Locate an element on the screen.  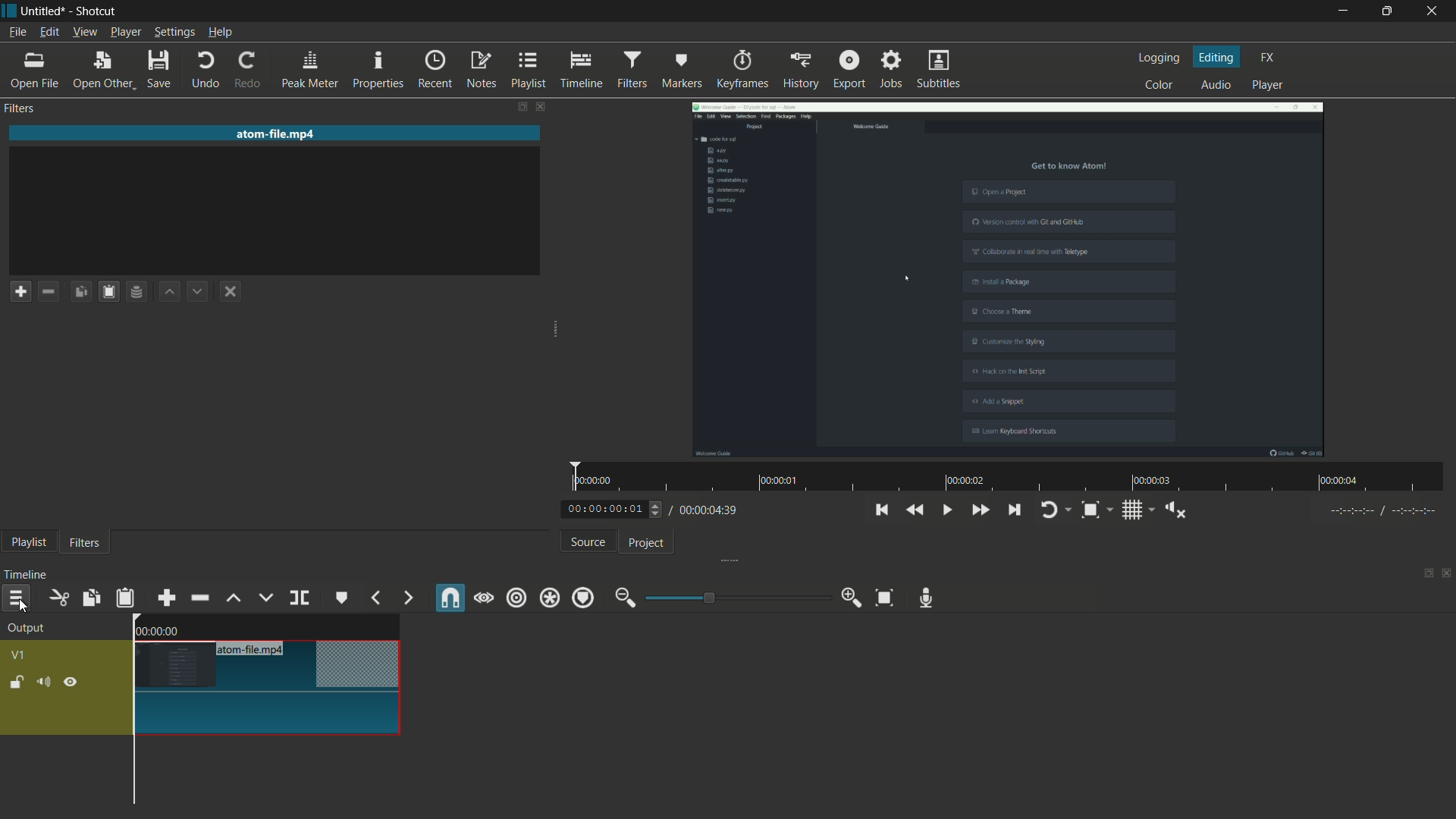
player menu is located at coordinates (126, 33).